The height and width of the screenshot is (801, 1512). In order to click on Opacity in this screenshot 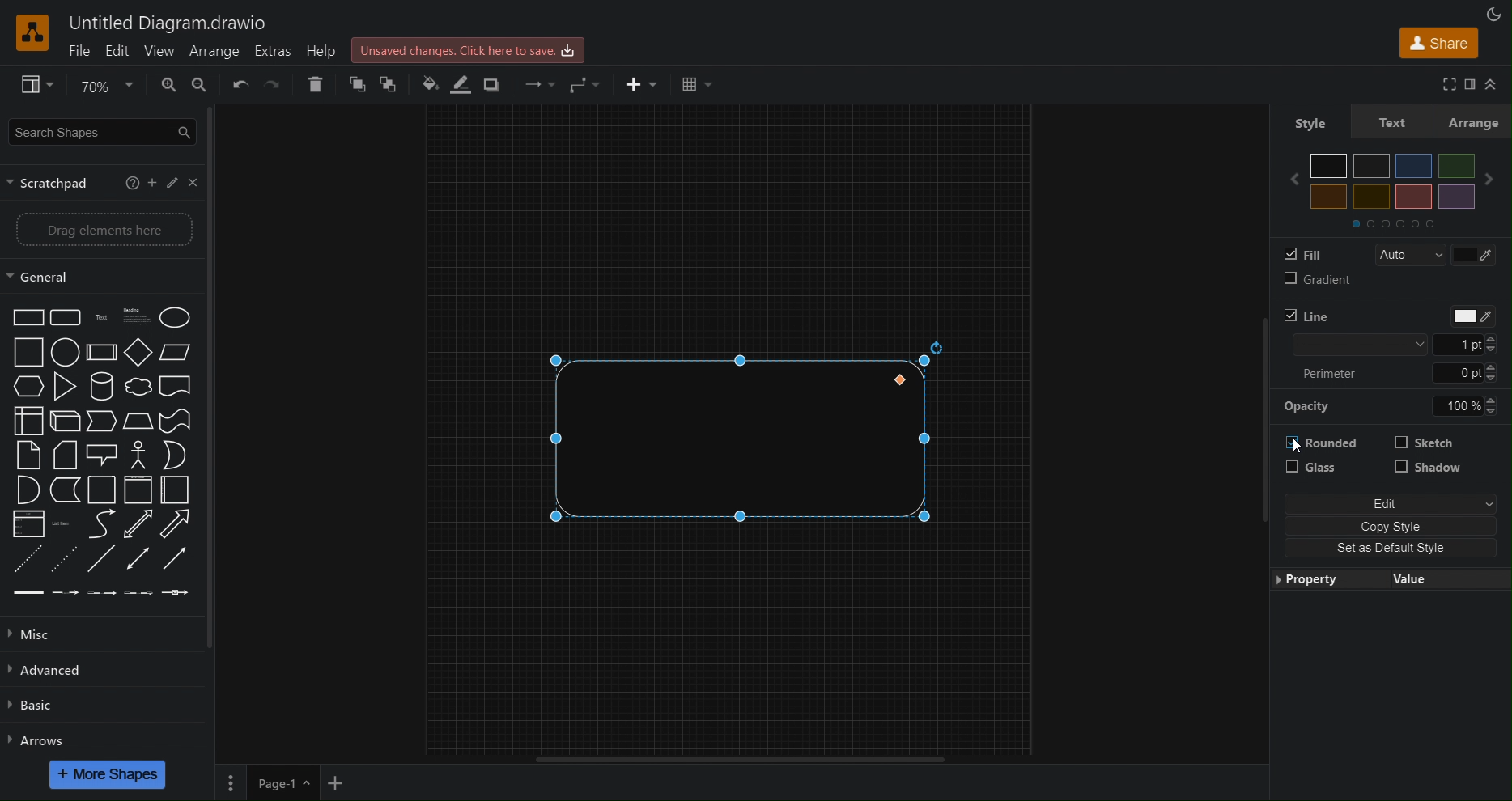, I will do `click(1395, 408)`.